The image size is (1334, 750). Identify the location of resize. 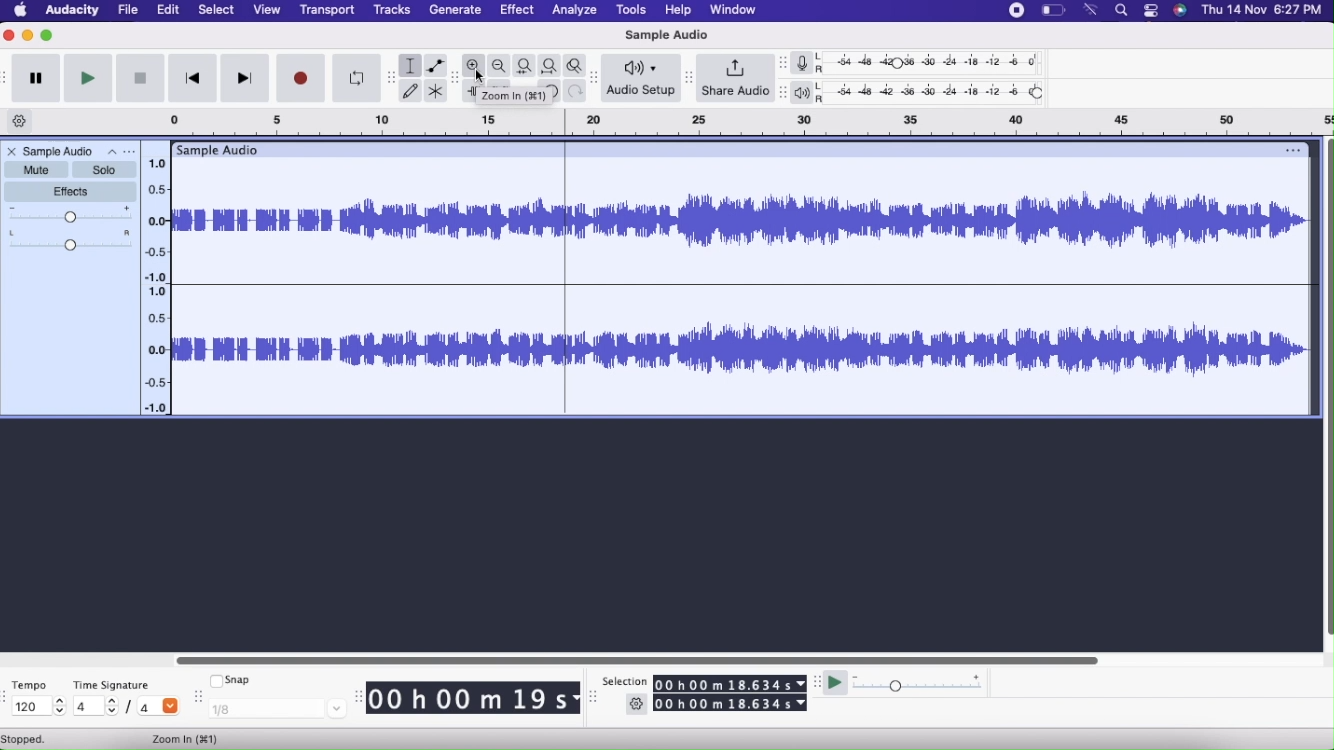
(781, 91).